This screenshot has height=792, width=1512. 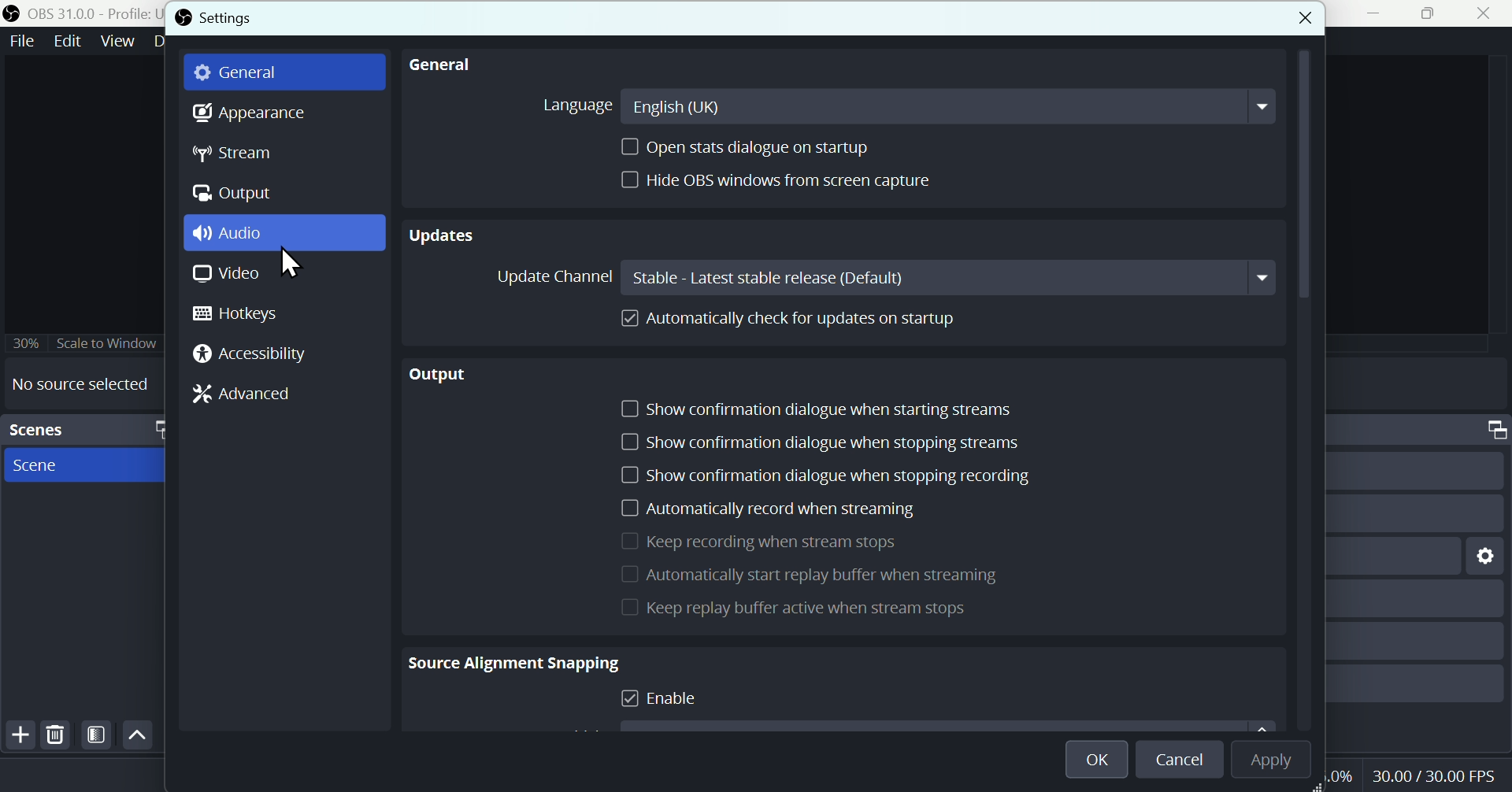 I want to click on Output, so click(x=444, y=376).